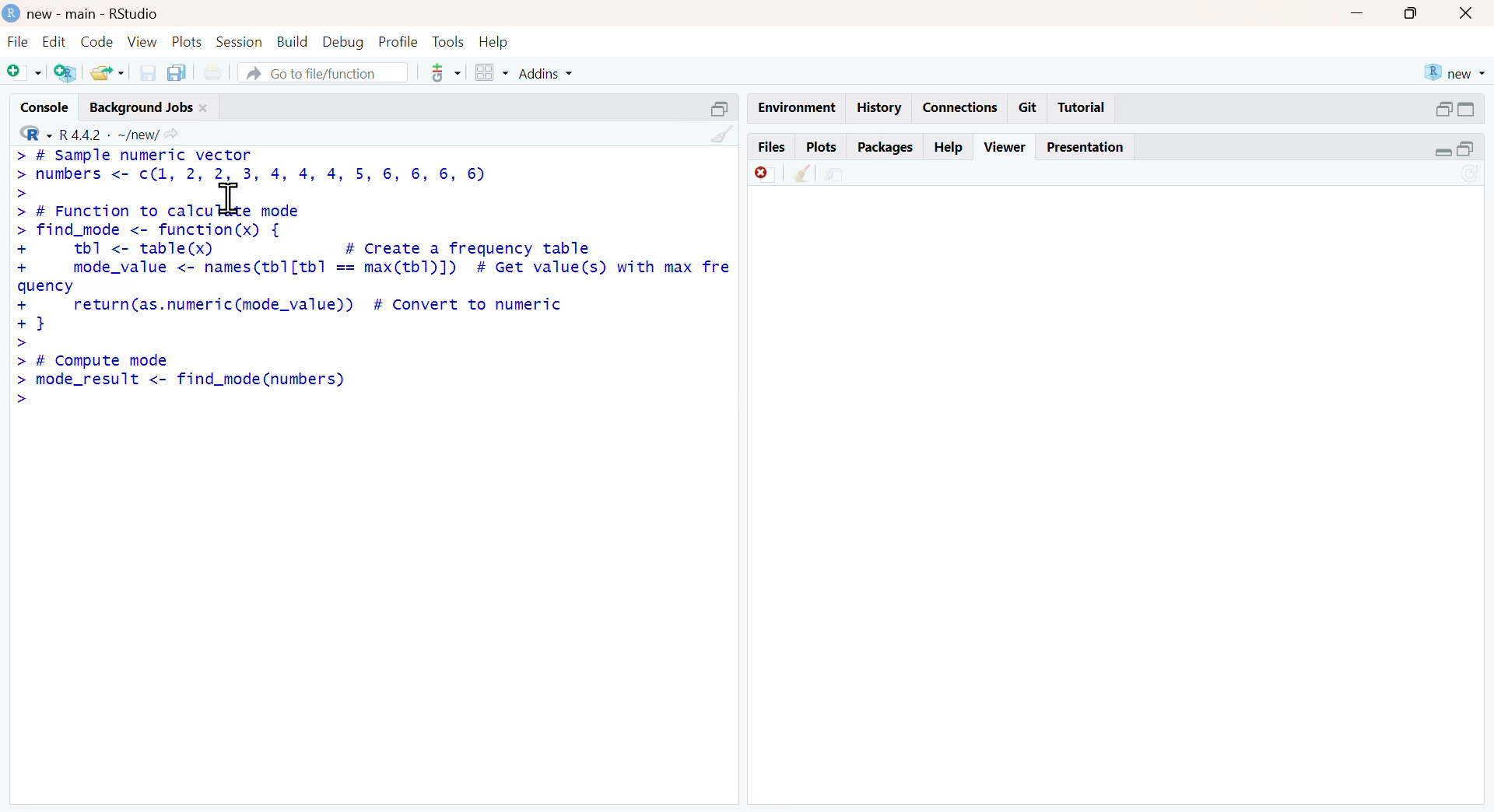  What do you see at coordinates (962, 108) in the screenshot?
I see `connections` at bounding box center [962, 108].